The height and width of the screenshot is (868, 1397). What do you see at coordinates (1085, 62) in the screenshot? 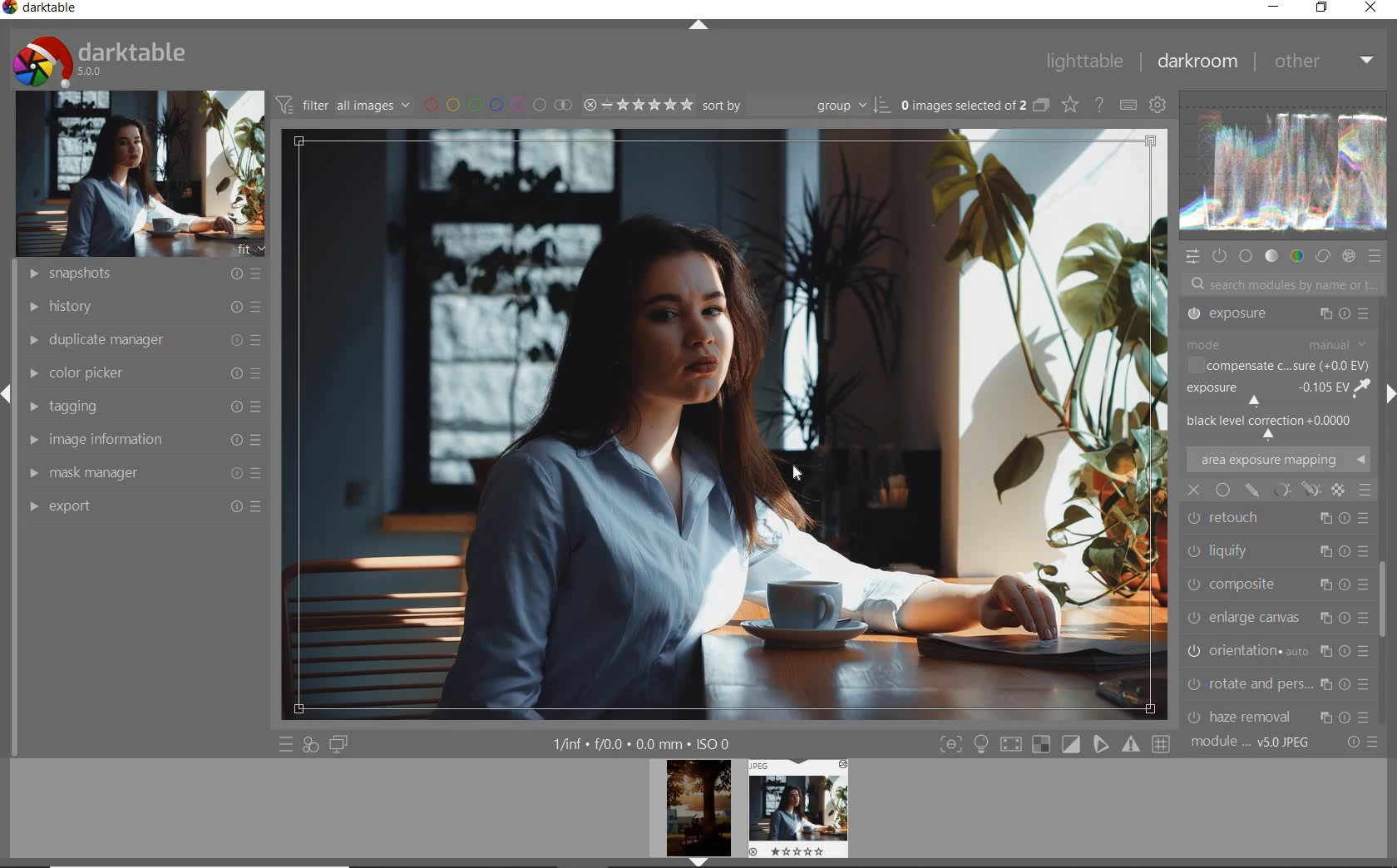
I see `LIGHTTABLE` at bounding box center [1085, 62].